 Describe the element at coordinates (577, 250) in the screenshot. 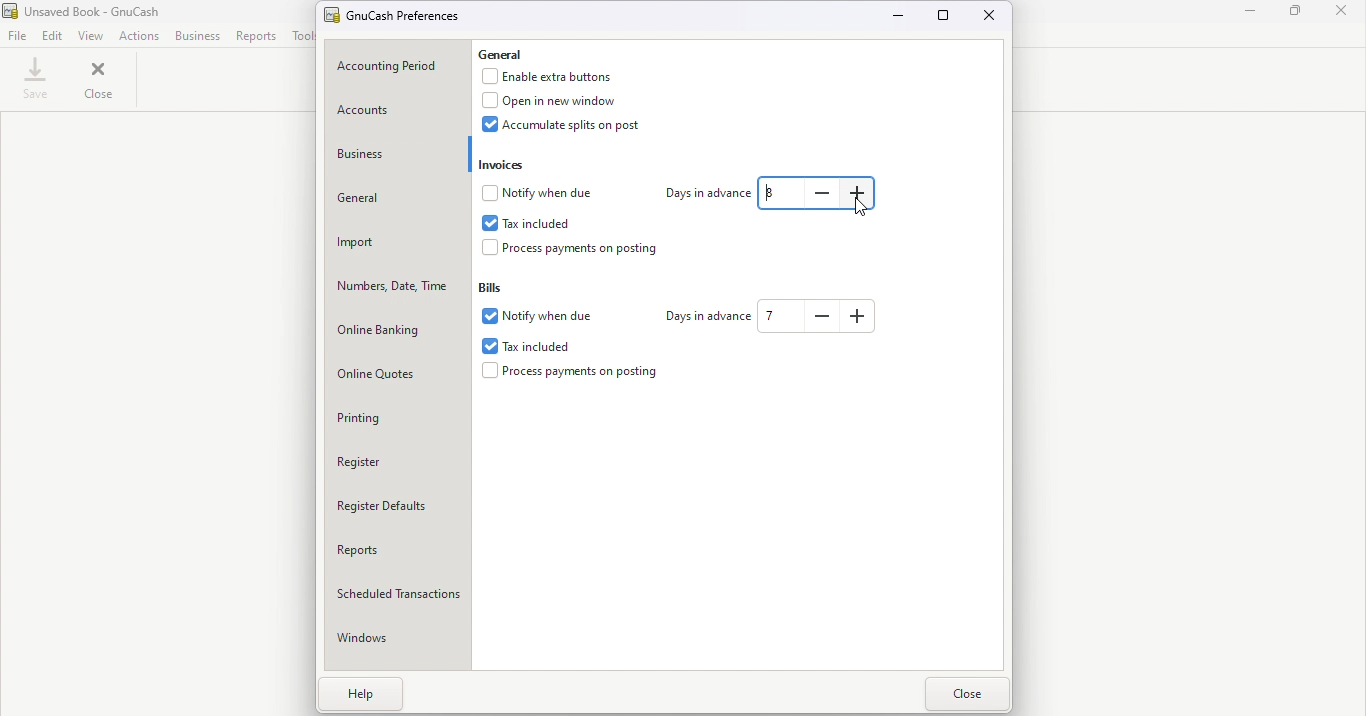

I see `Process payments on postings` at that location.